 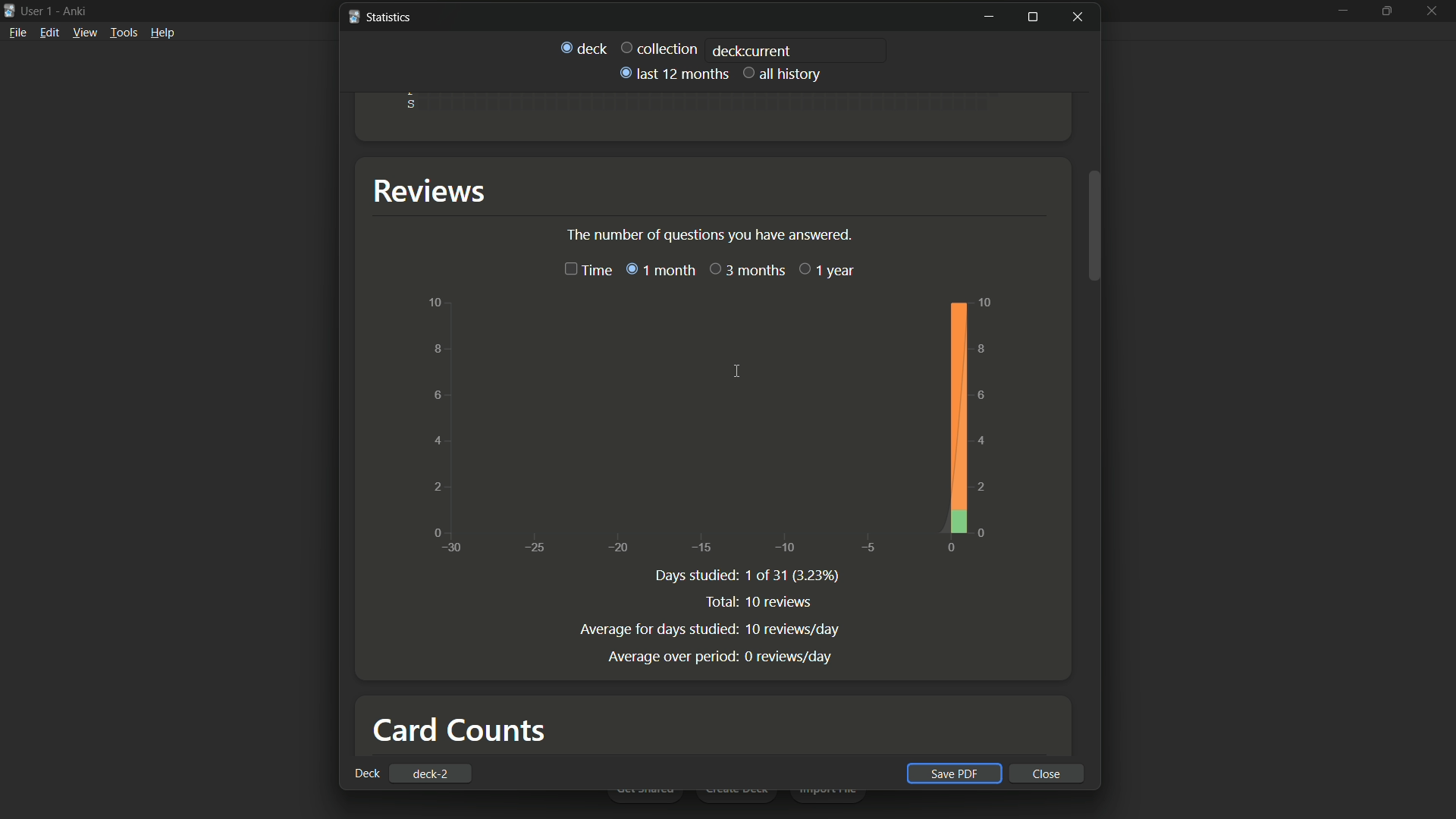 I want to click on App name, so click(x=77, y=11).